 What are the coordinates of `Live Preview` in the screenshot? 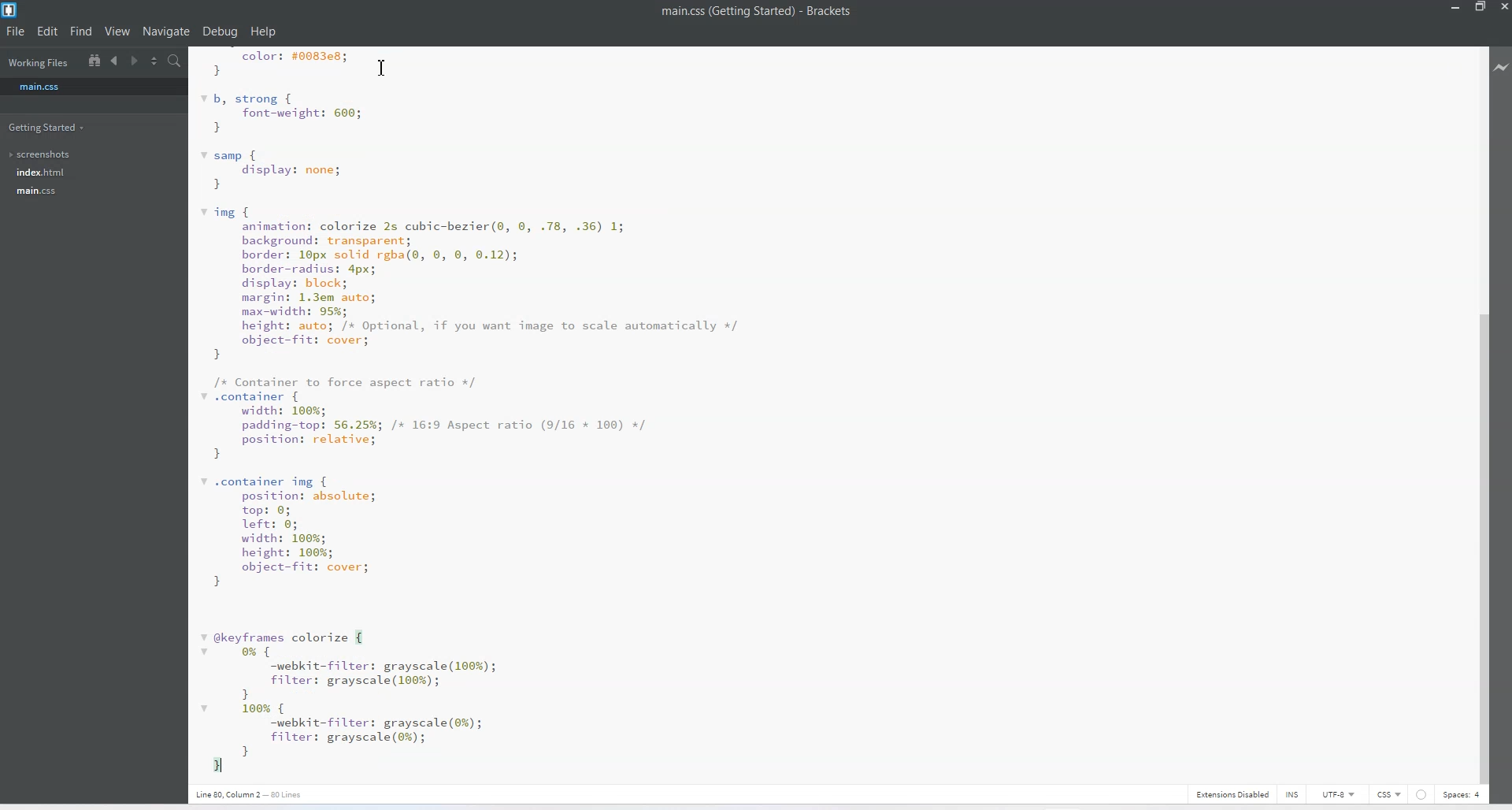 It's located at (1502, 65).